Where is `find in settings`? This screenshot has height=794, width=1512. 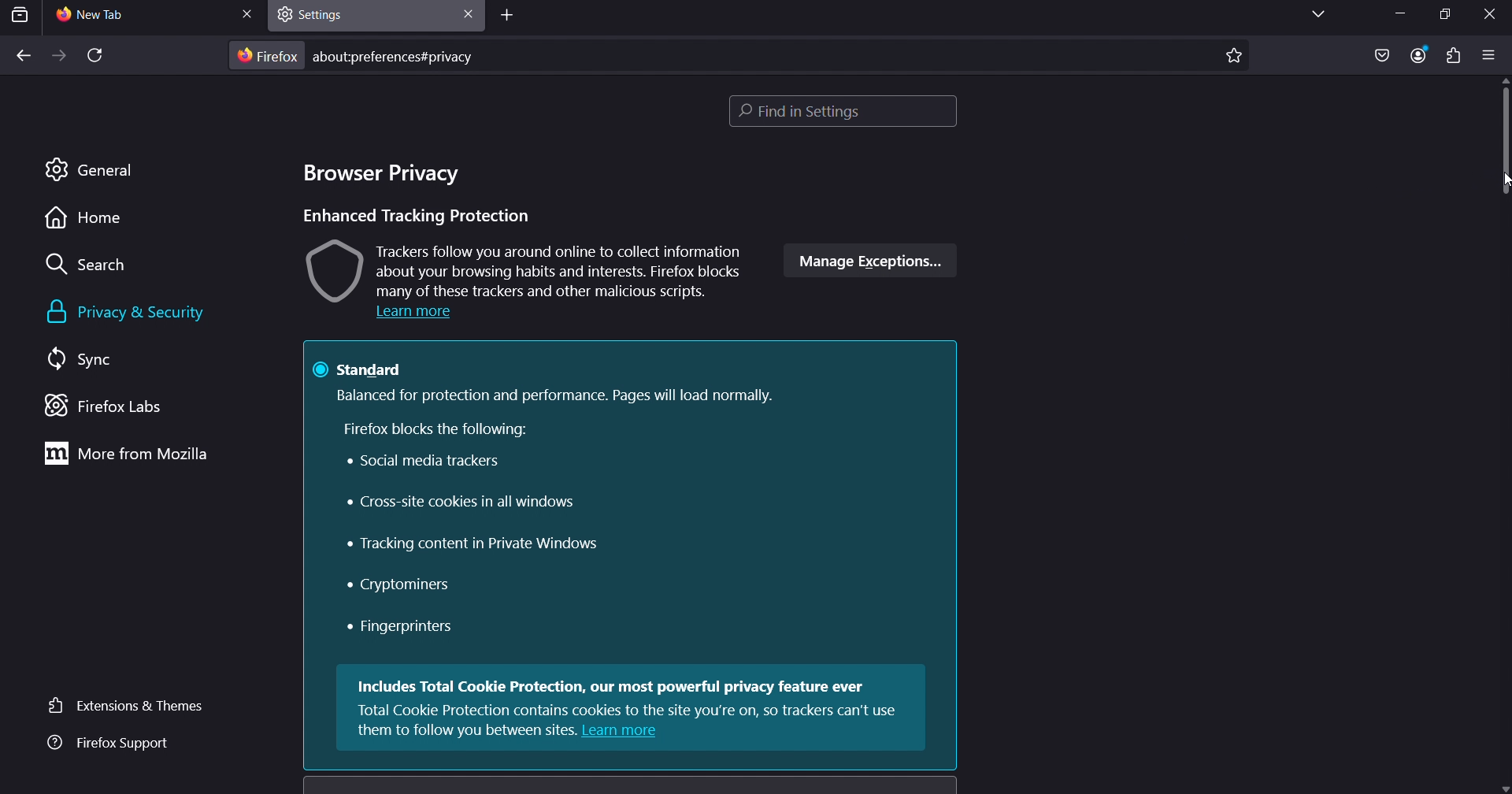
find in settings is located at coordinates (849, 113).